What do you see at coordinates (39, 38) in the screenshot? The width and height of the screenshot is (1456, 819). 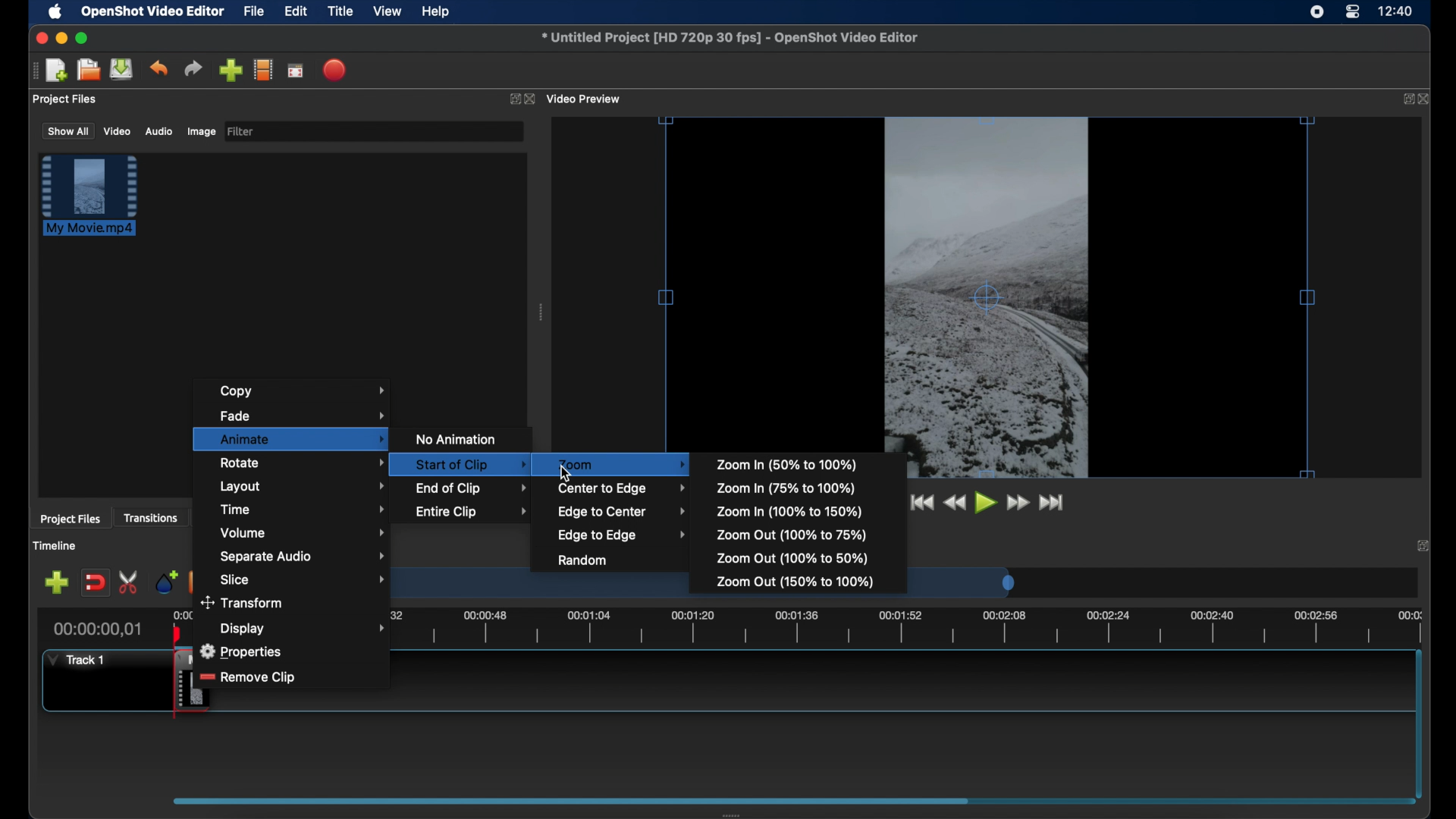 I see `close` at bounding box center [39, 38].